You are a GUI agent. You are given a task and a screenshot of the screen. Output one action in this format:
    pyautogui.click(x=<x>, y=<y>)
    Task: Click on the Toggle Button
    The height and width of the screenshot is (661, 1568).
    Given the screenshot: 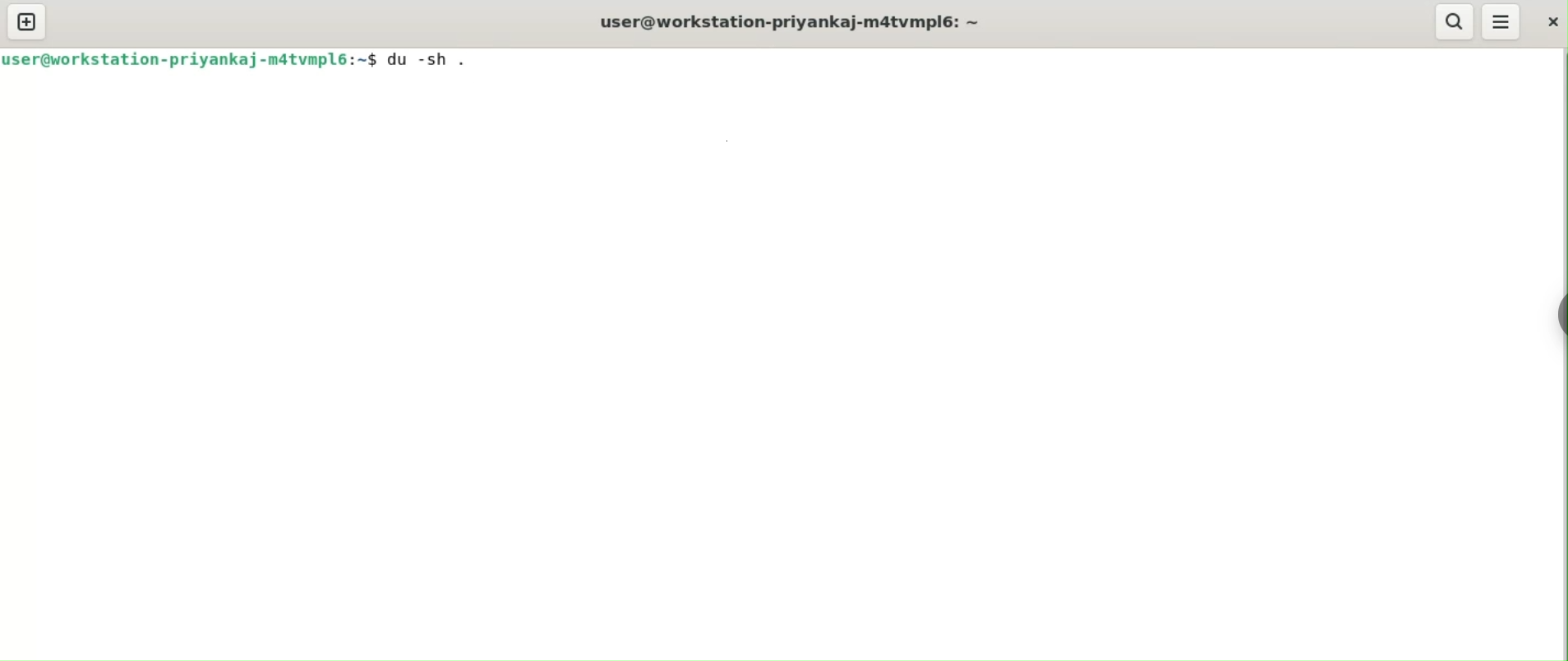 What is the action you would take?
    pyautogui.click(x=1552, y=303)
    